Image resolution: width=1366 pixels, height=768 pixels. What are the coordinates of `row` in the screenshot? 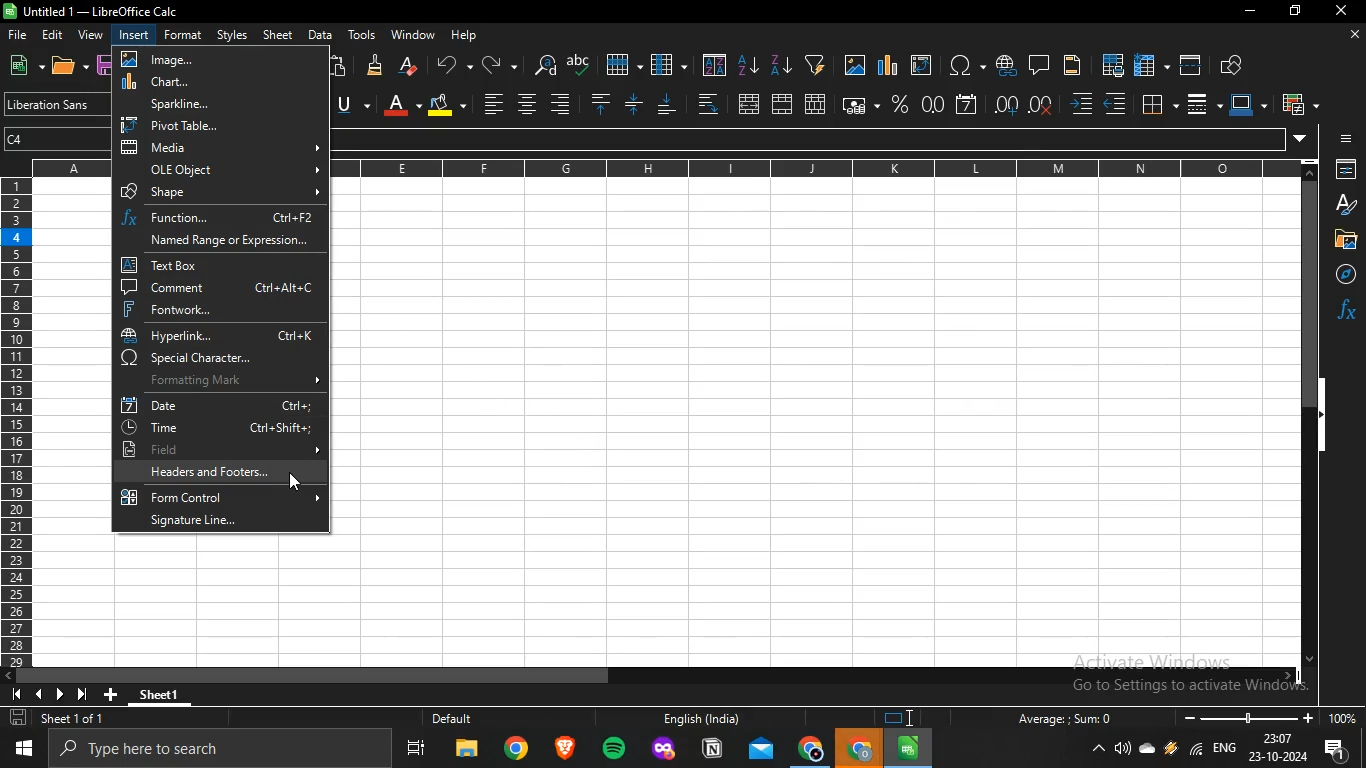 It's located at (621, 64).